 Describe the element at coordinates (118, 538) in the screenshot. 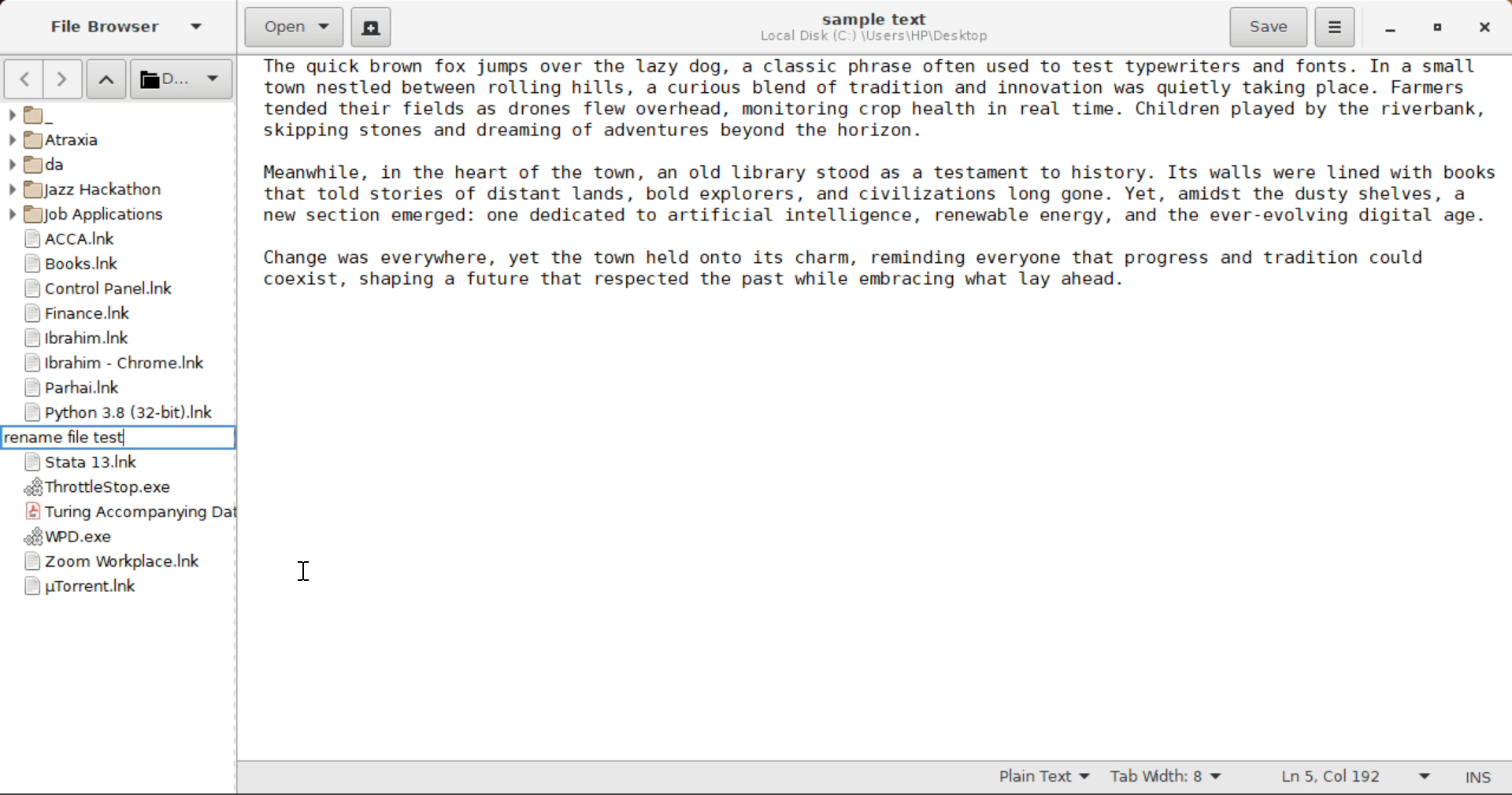

I see `WPD Application` at that location.